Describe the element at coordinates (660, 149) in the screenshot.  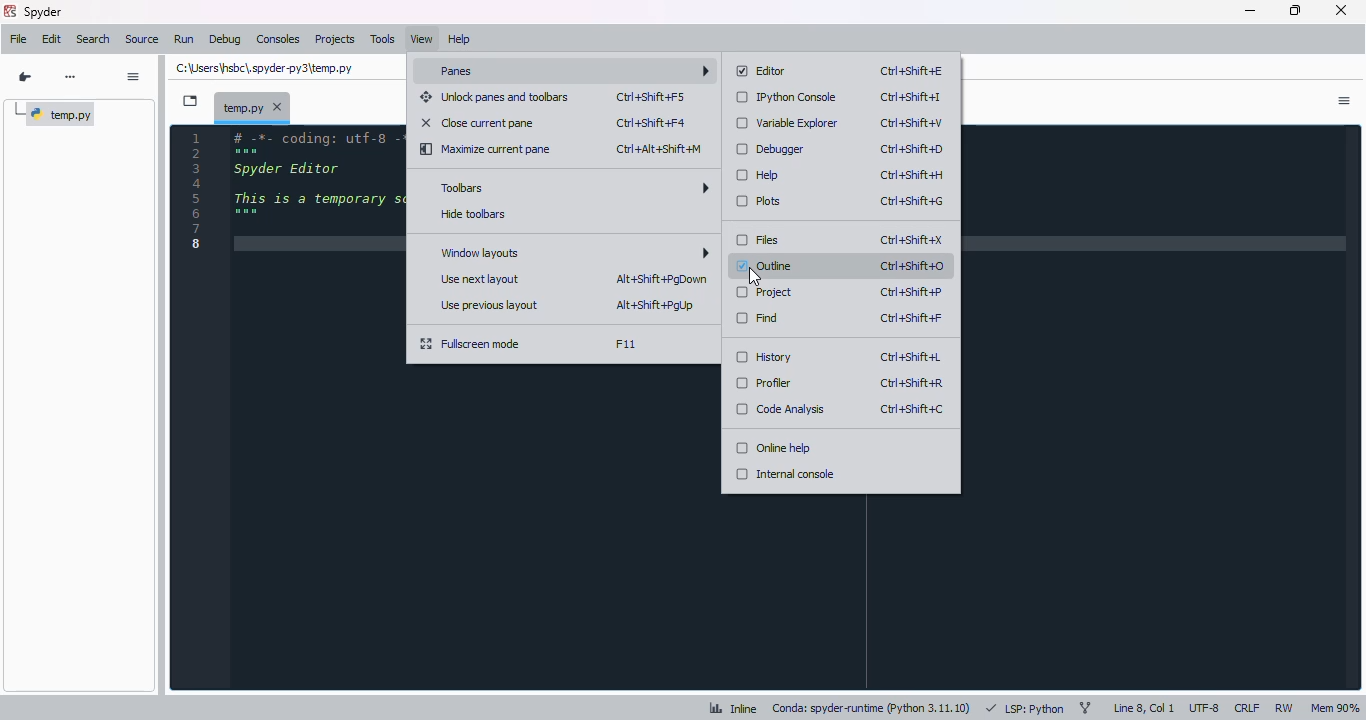
I see `shortcut for maximize current pane` at that location.